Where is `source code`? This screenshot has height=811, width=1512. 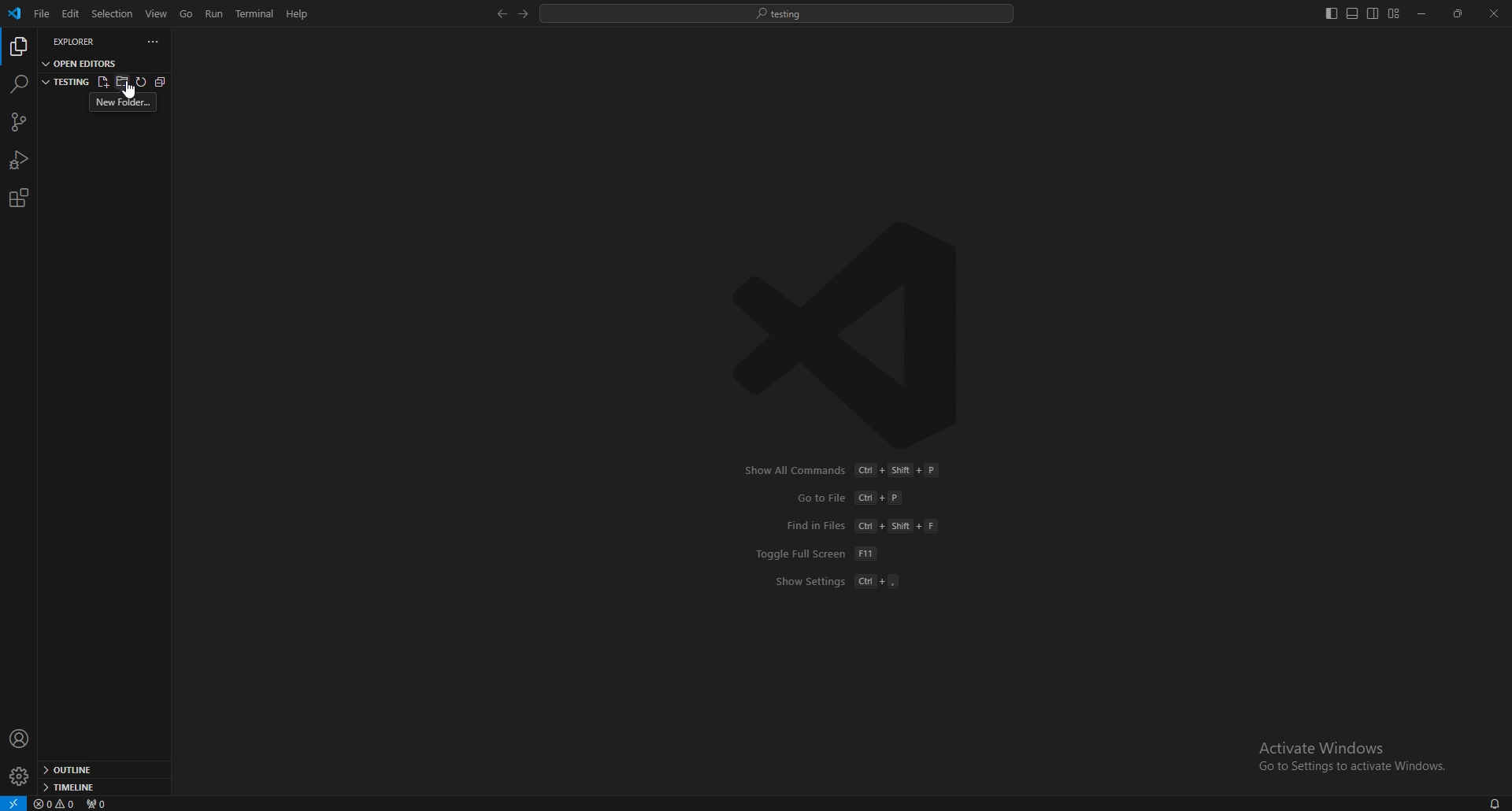 source code is located at coordinates (17, 123).